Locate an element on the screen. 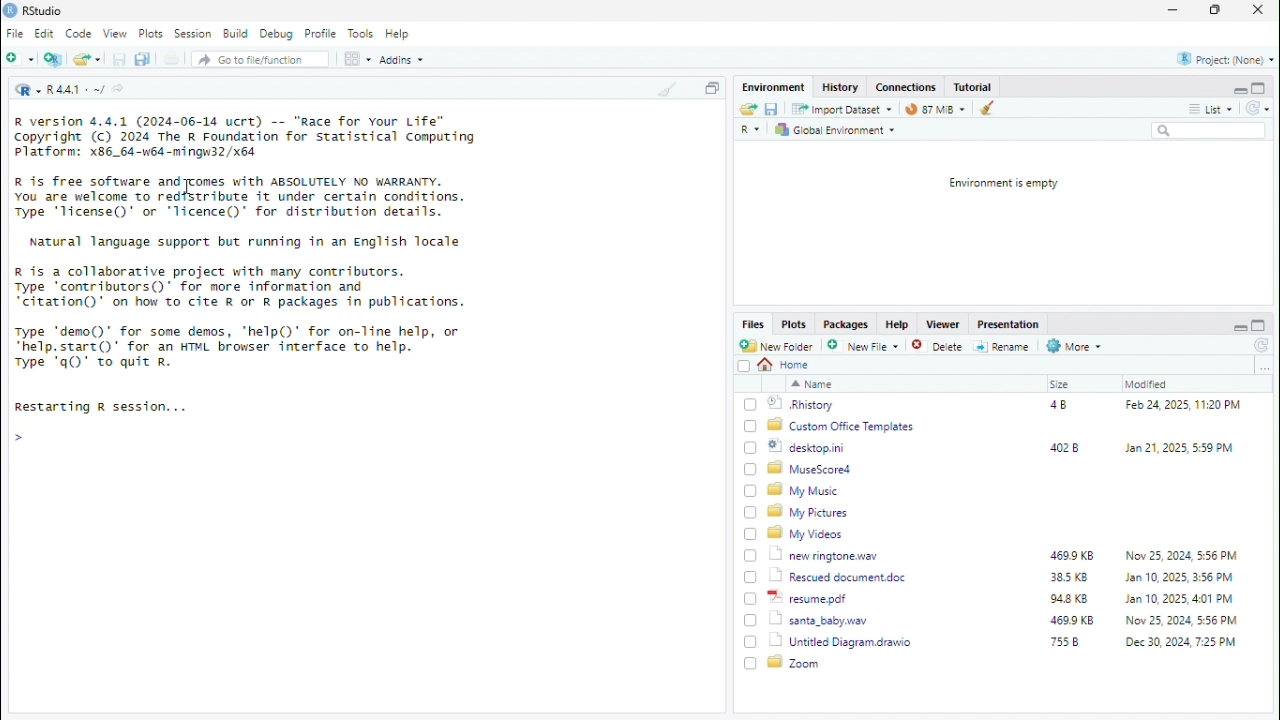  Tools is located at coordinates (363, 33).